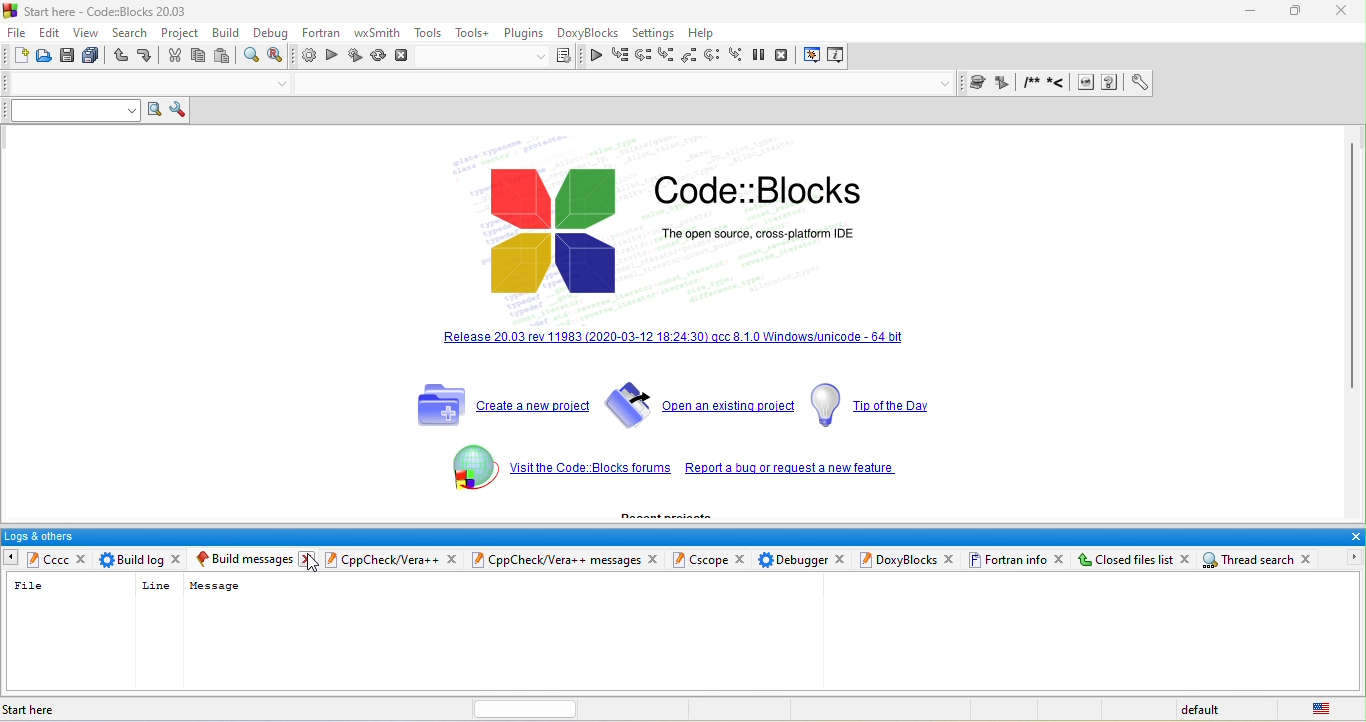  I want to click on cpp check/vera +message, so click(558, 559).